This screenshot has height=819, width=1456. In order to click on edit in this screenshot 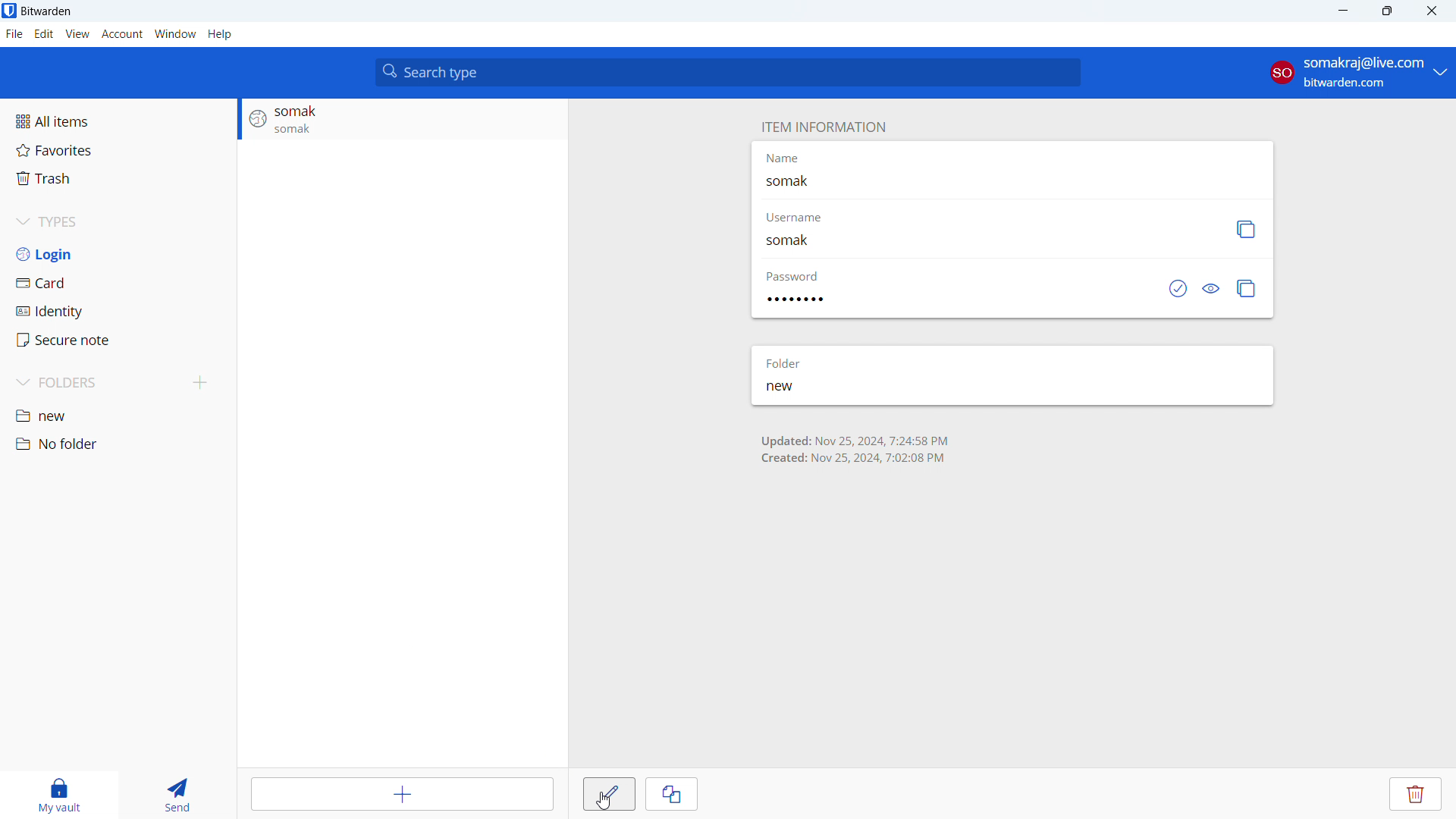, I will do `click(609, 794)`.